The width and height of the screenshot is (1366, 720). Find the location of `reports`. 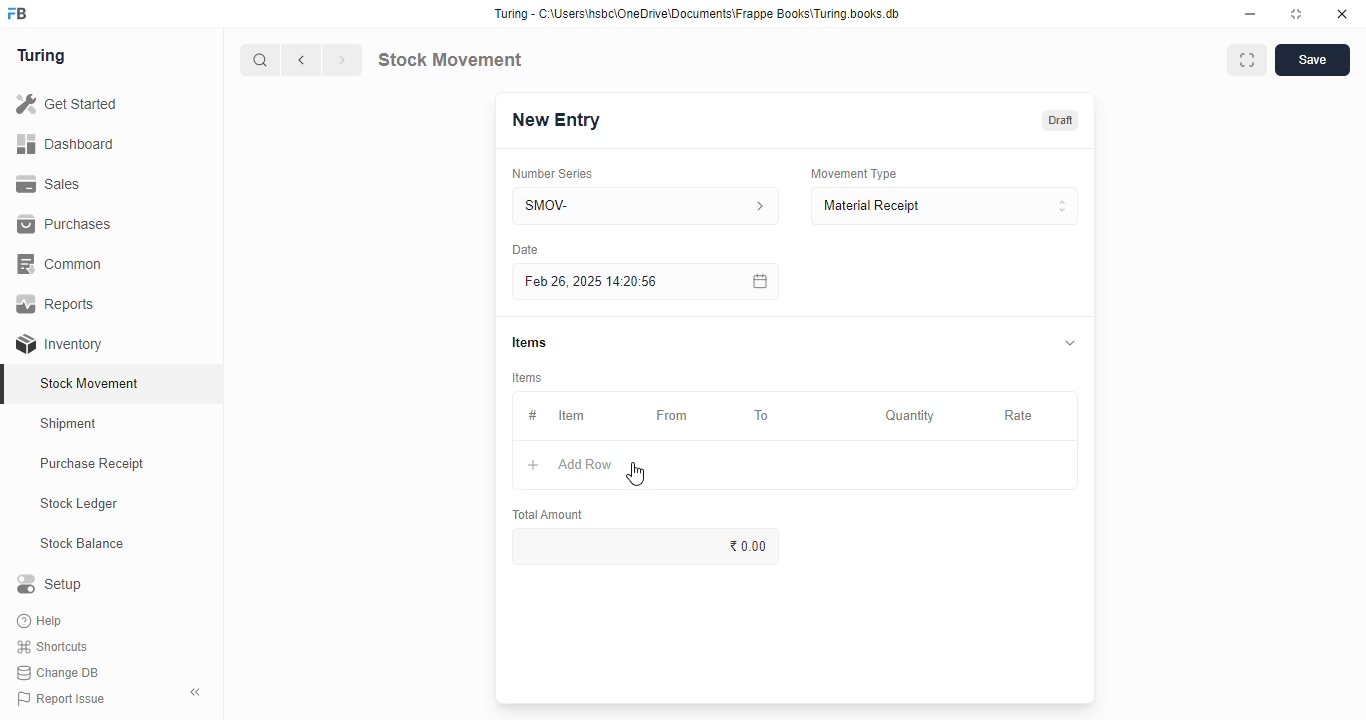

reports is located at coordinates (57, 303).